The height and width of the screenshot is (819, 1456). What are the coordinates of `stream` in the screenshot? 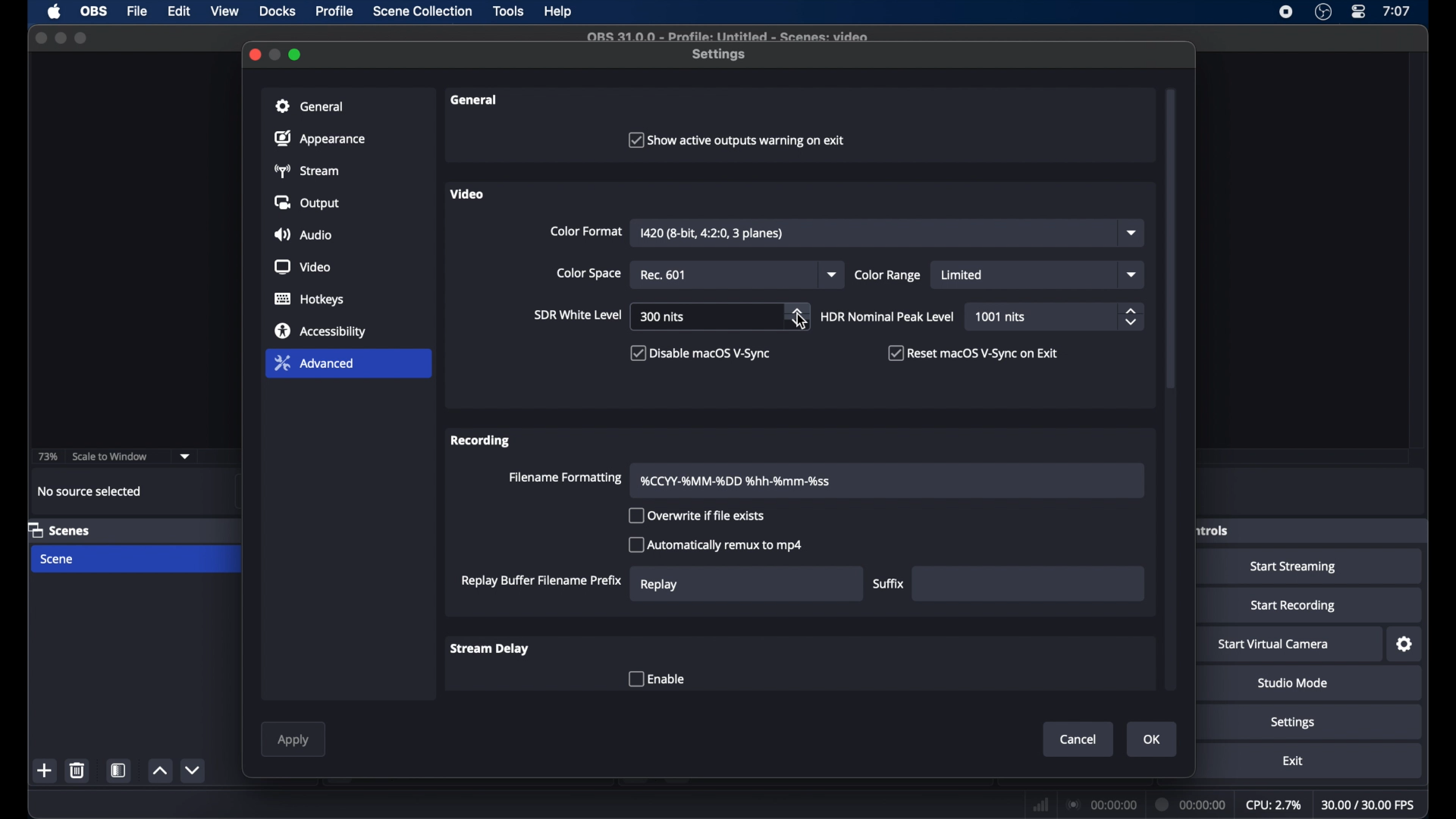 It's located at (306, 171).